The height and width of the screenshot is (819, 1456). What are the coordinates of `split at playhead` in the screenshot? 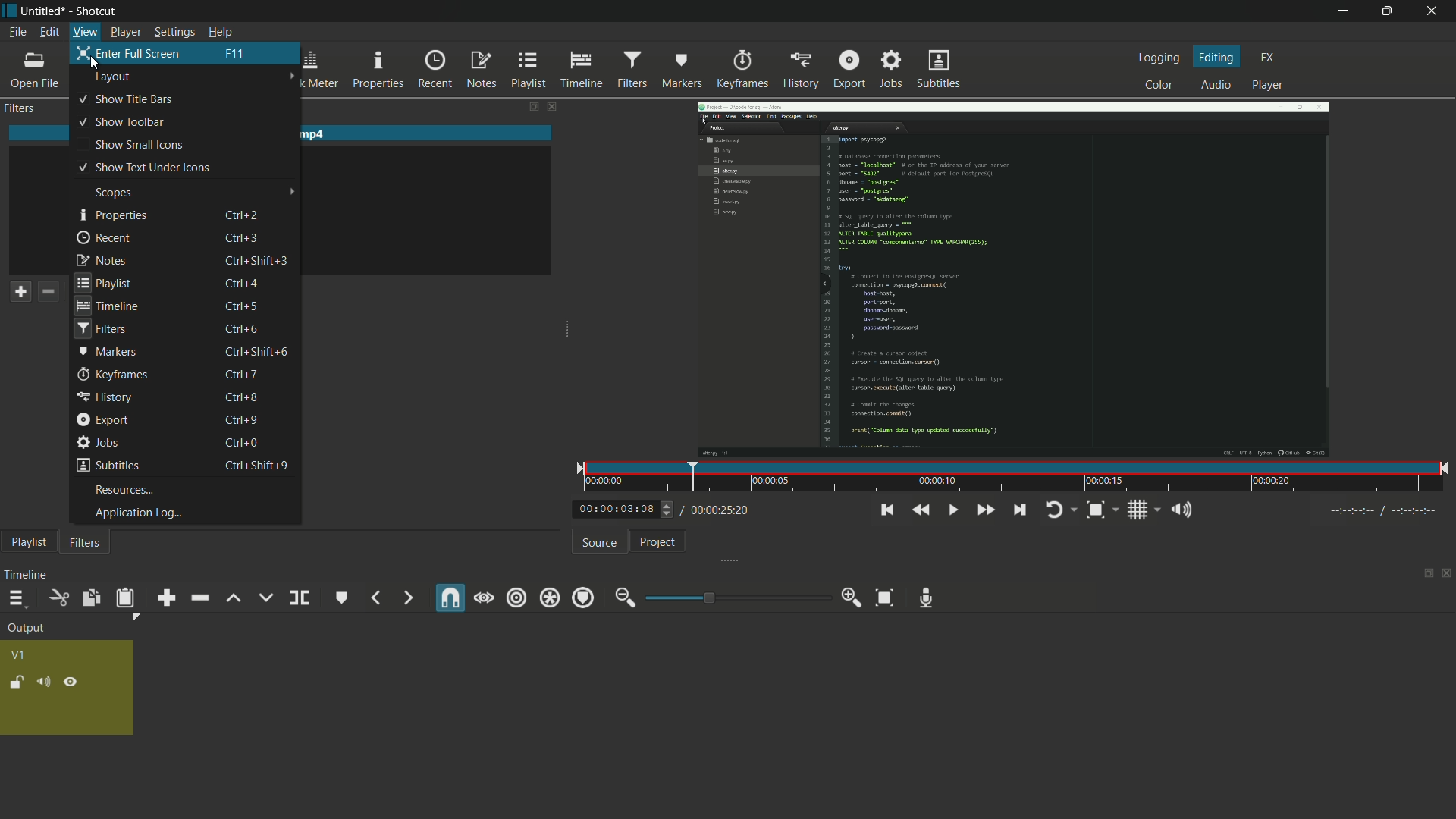 It's located at (299, 598).